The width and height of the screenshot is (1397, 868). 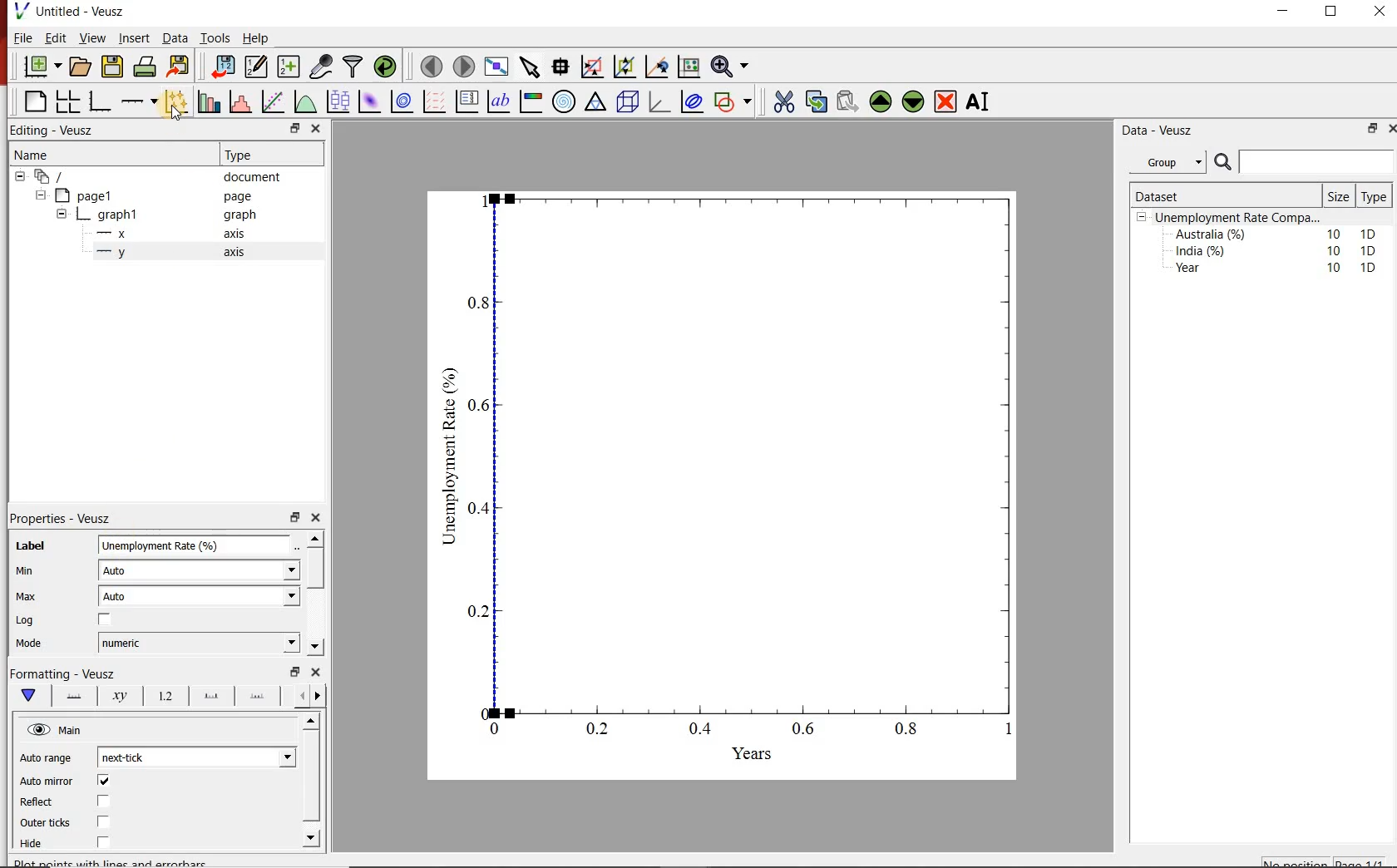 I want to click on create new datasets, so click(x=288, y=67).